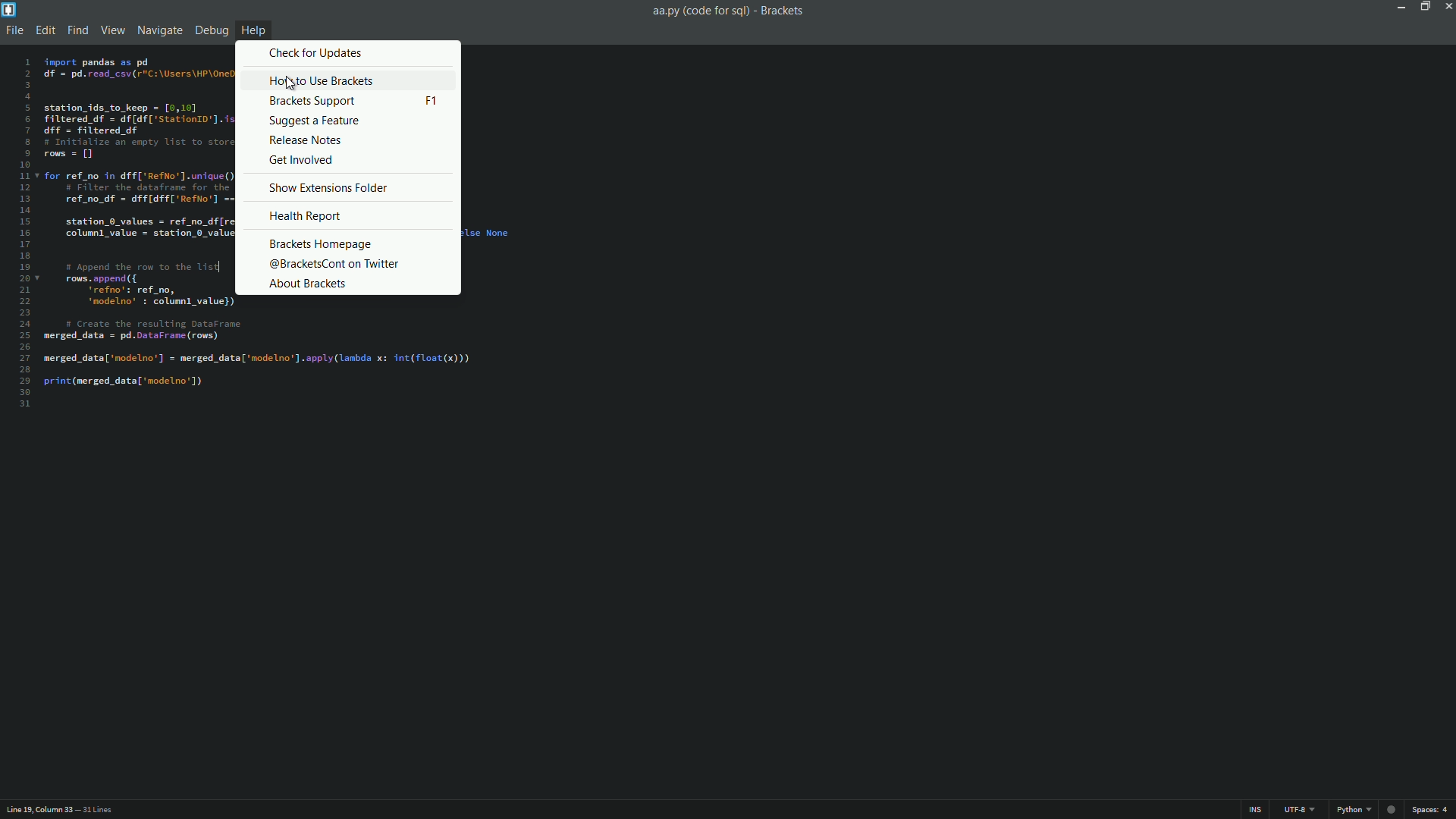  I want to click on help menu, so click(252, 30).